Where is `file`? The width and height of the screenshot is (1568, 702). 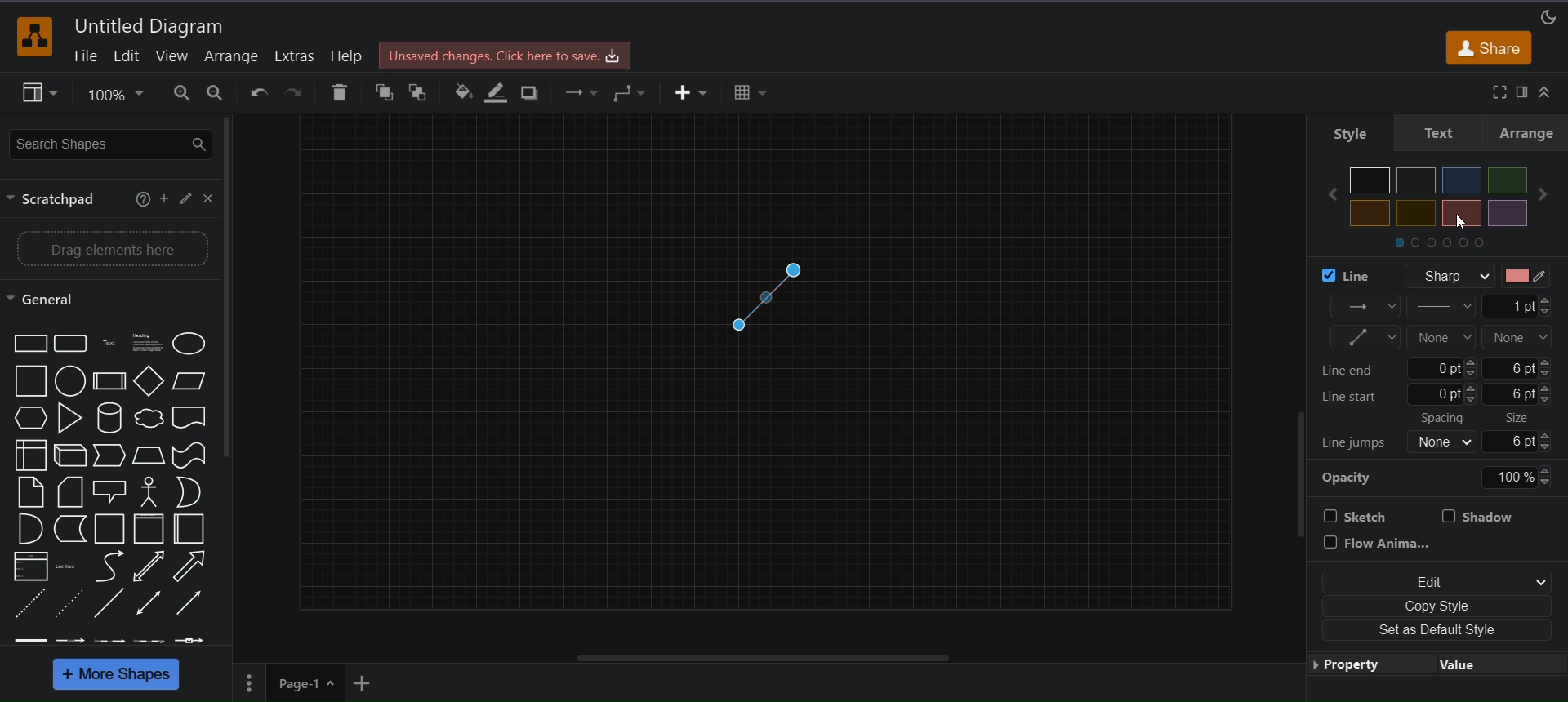
file is located at coordinates (84, 56).